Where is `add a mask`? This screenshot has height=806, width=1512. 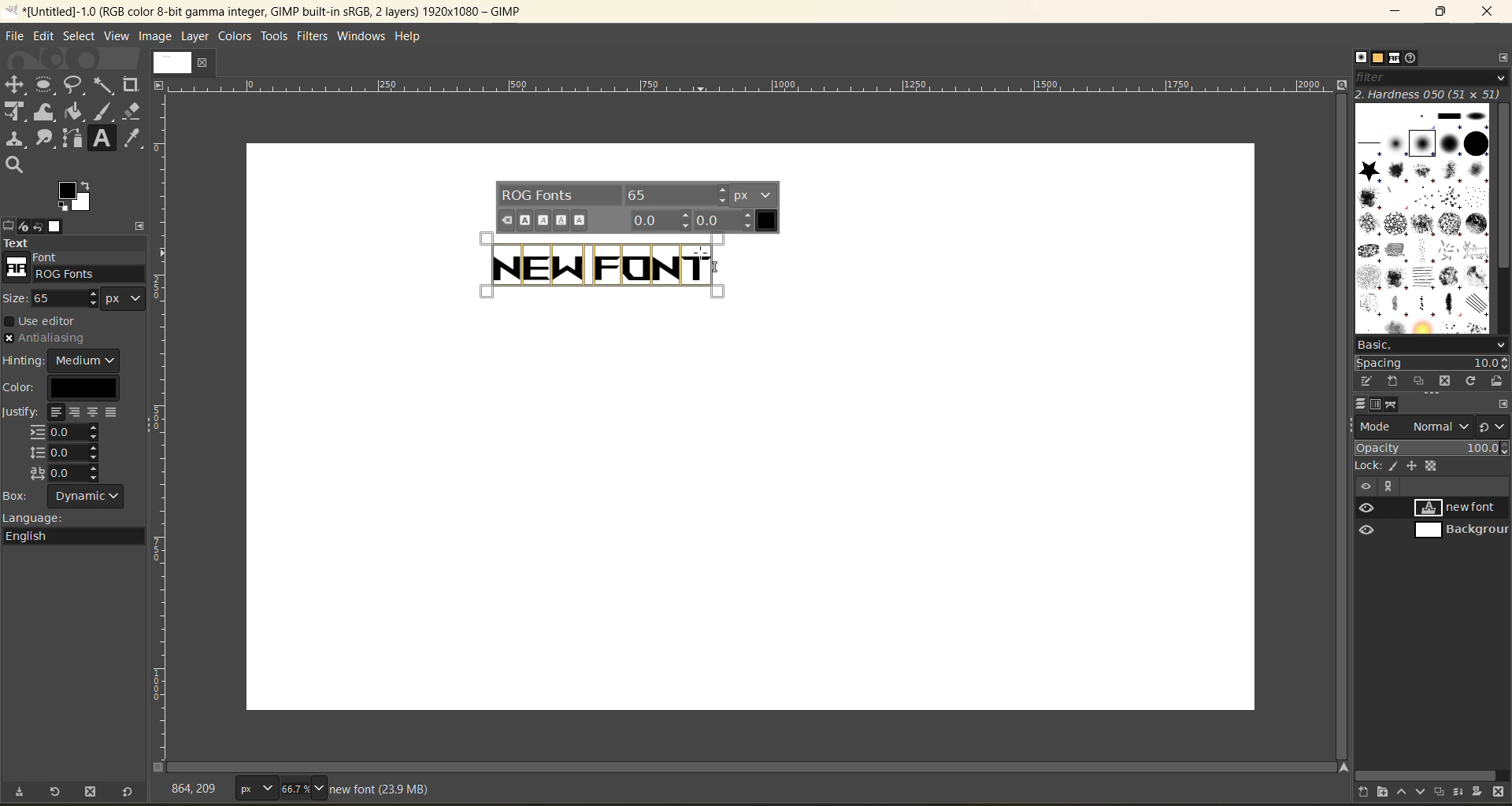
add a mask is located at coordinates (1479, 790).